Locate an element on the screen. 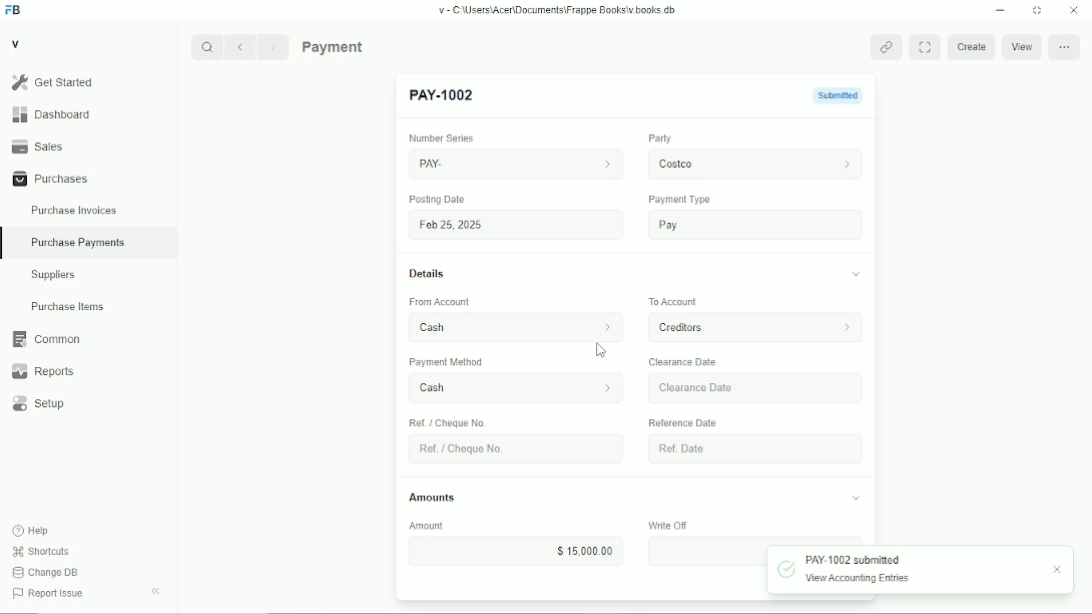 The width and height of the screenshot is (1092, 614). calender is located at coordinates (842, 448).